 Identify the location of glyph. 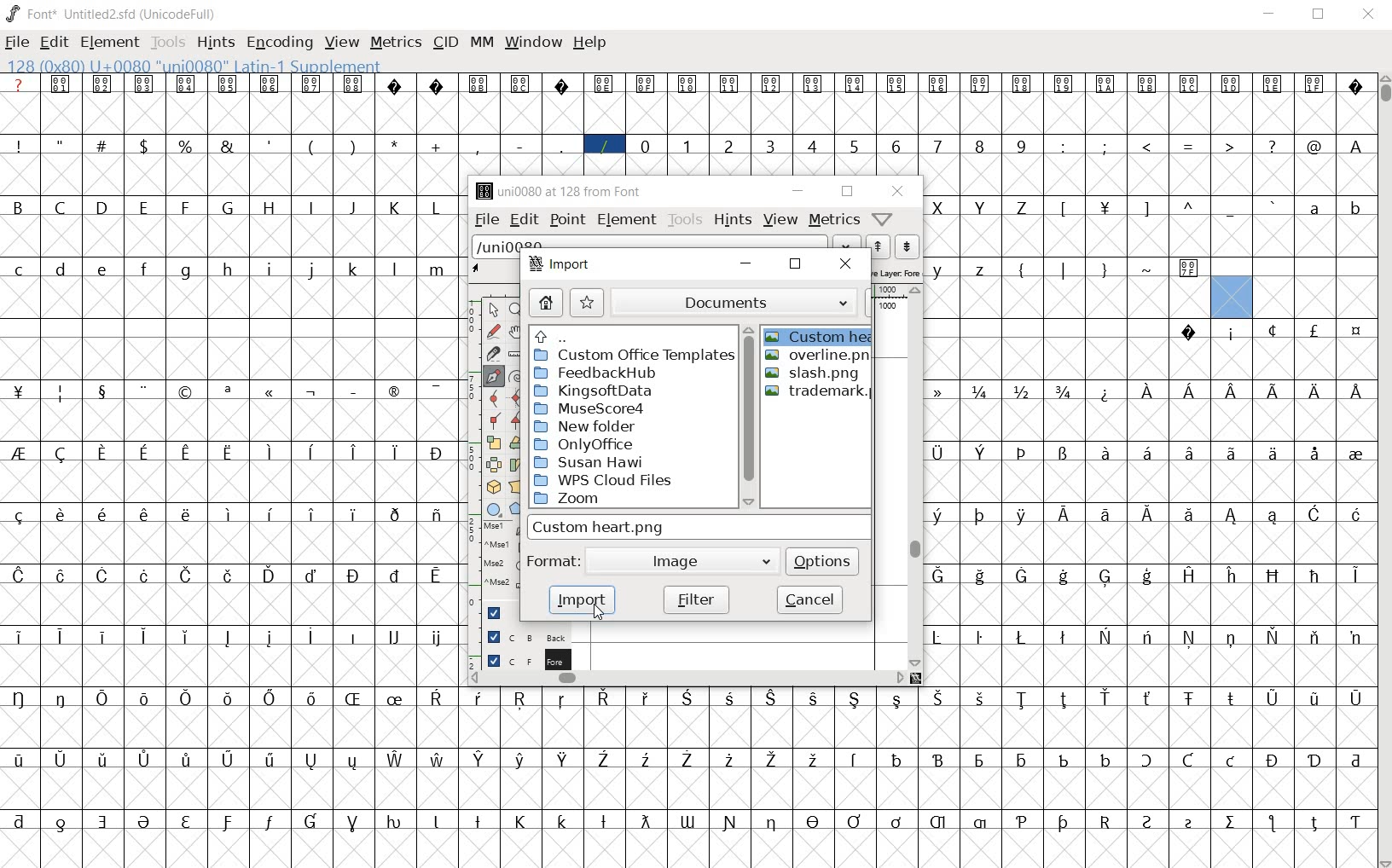
(731, 698).